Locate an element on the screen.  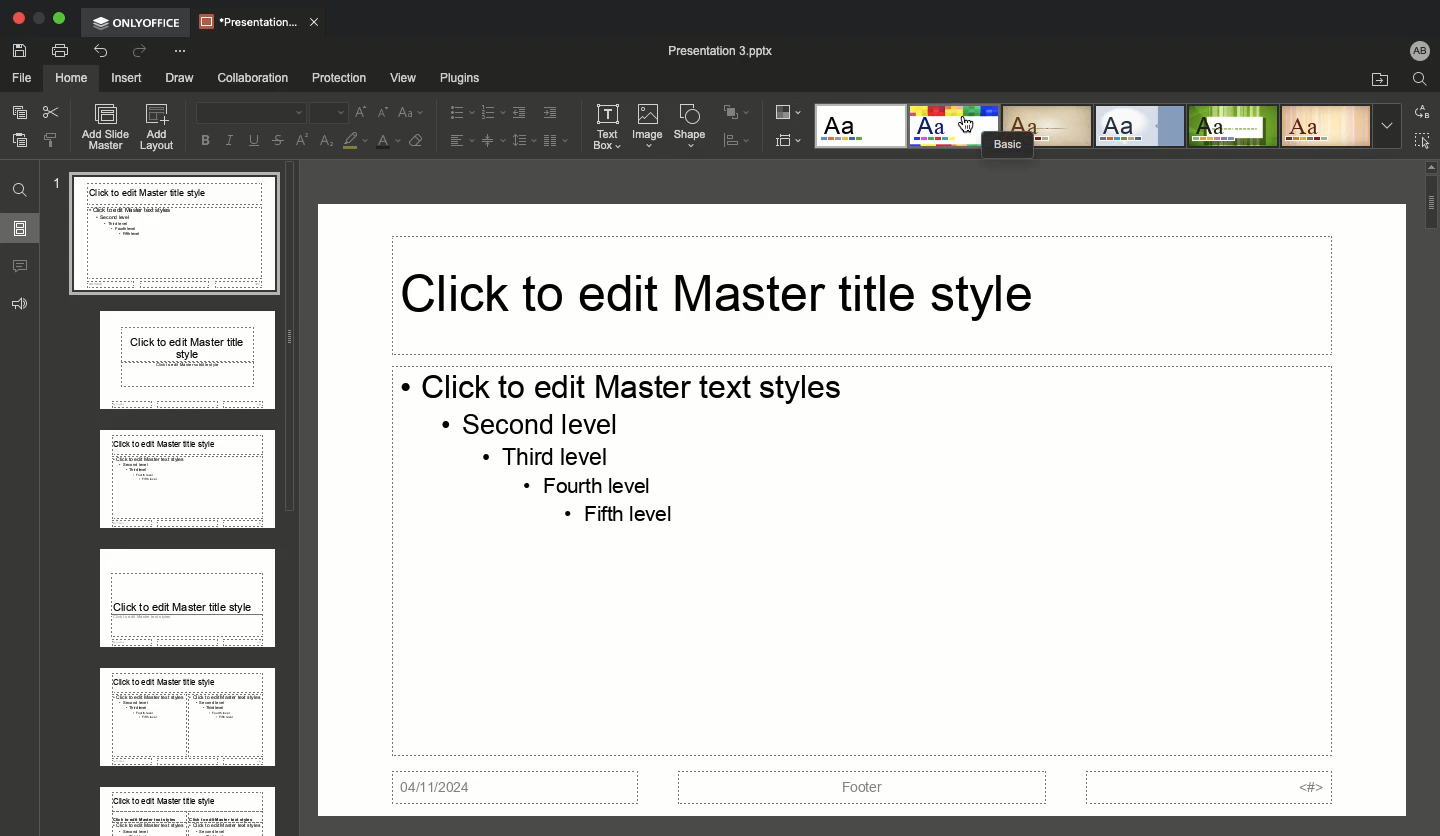
Center is located at coordinates (488, 142).